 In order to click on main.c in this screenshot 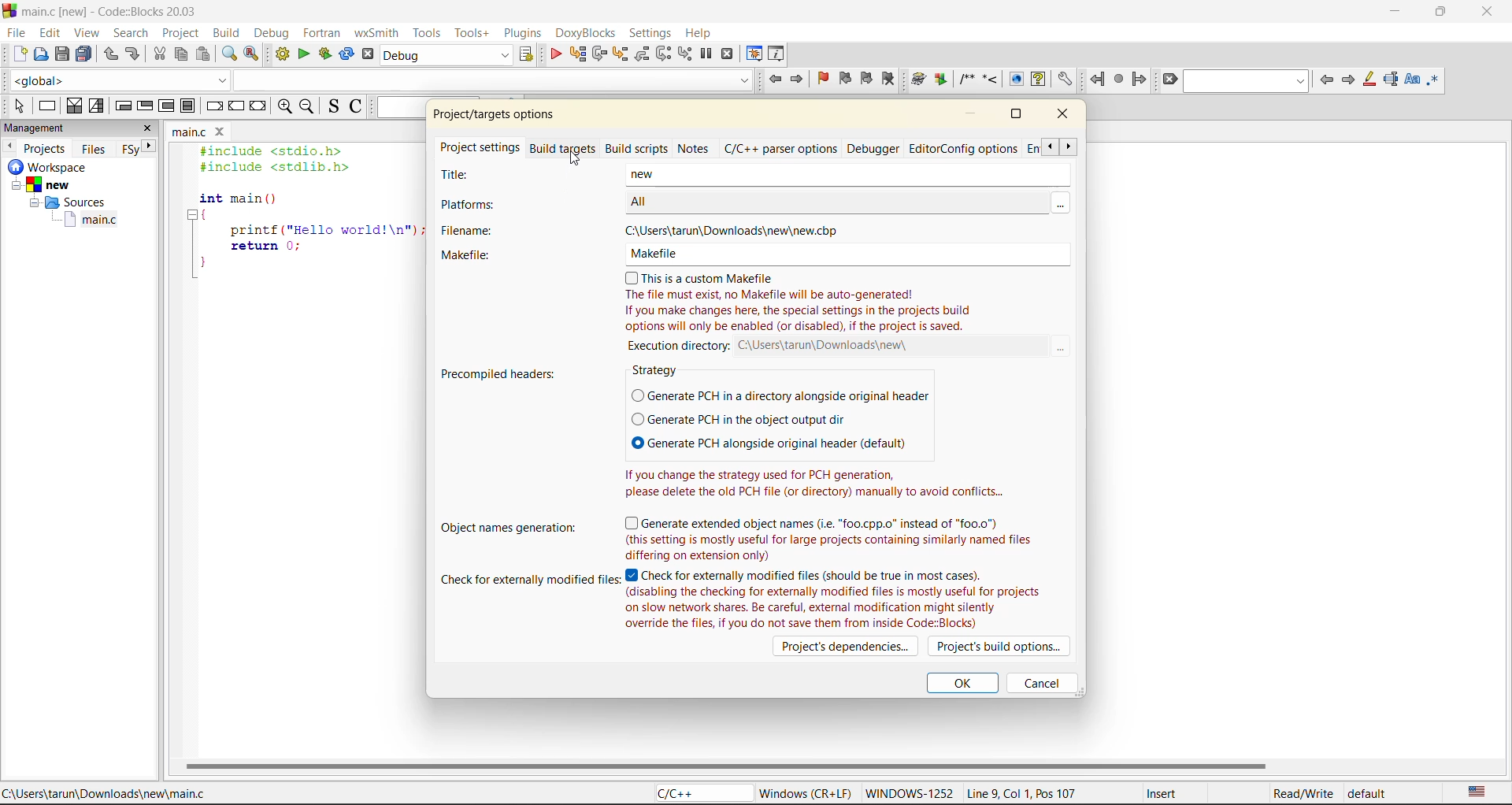, I will do `click(94, 222)`.